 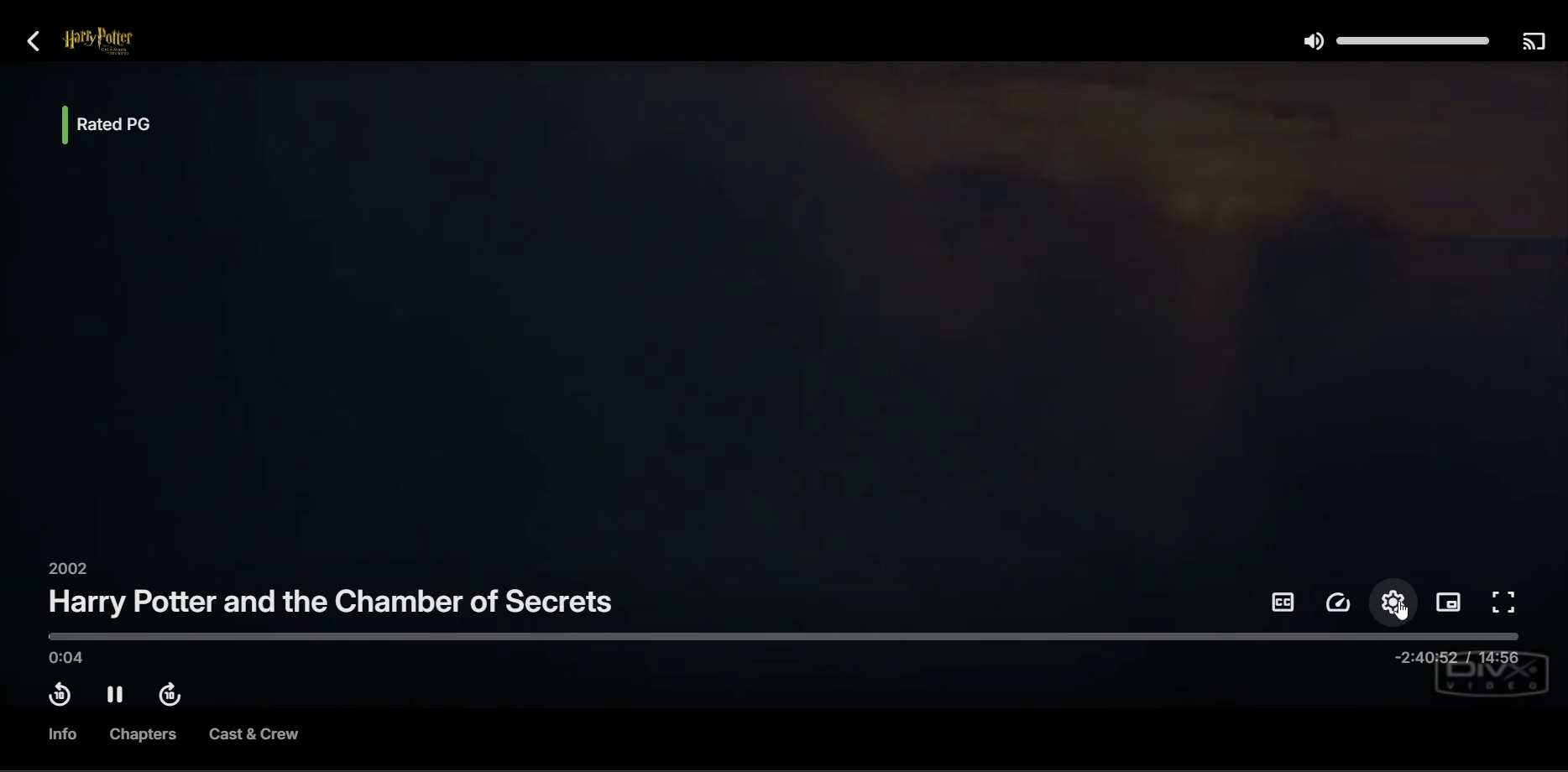 What do you see at coordinates (253, 737) in the screenshot?
I see `Cast and Crew` at bounding box center [253, 737].